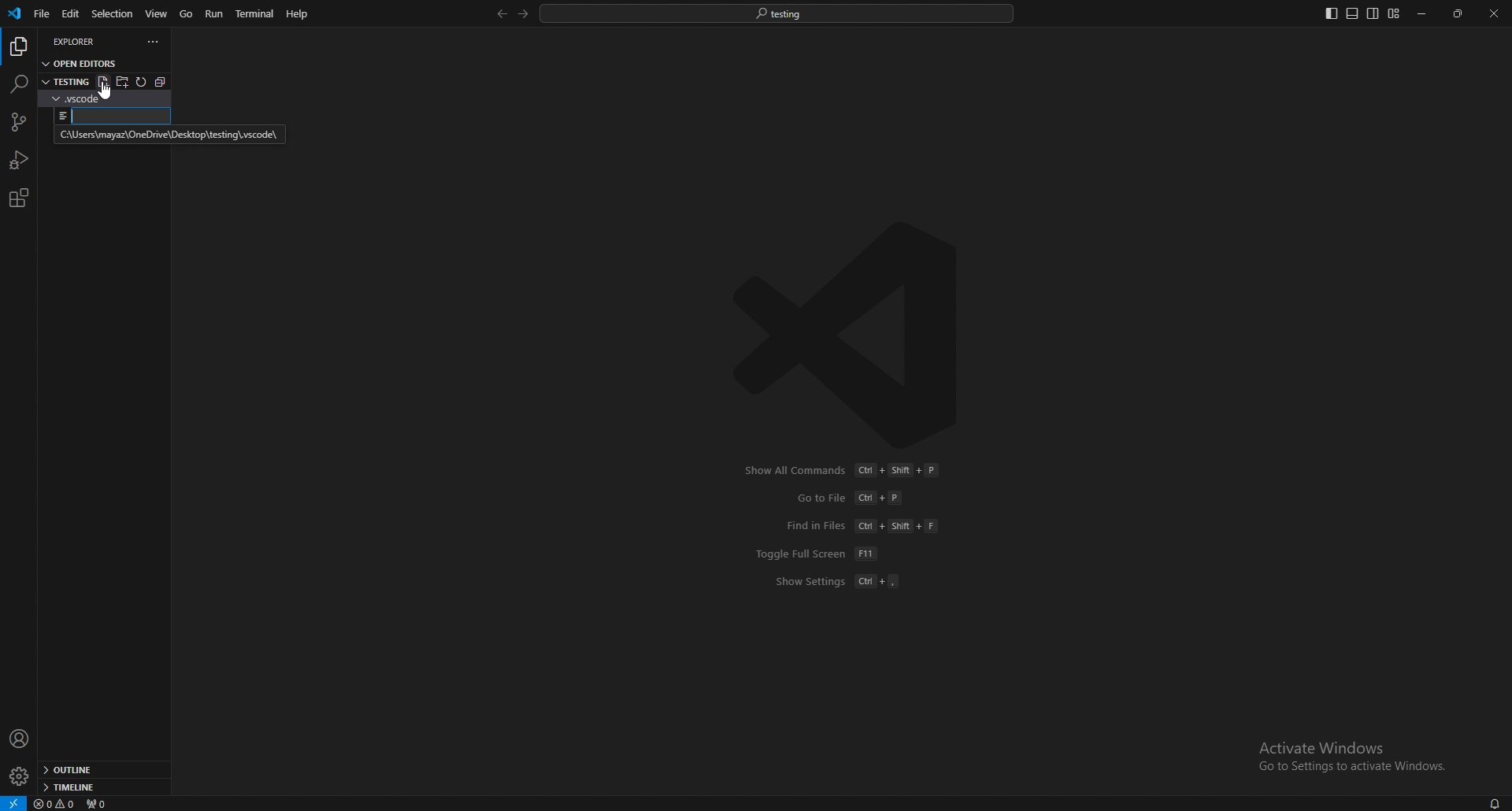 This screenshot has width=1512, height=811. I want to click on run, so click(216, 13).